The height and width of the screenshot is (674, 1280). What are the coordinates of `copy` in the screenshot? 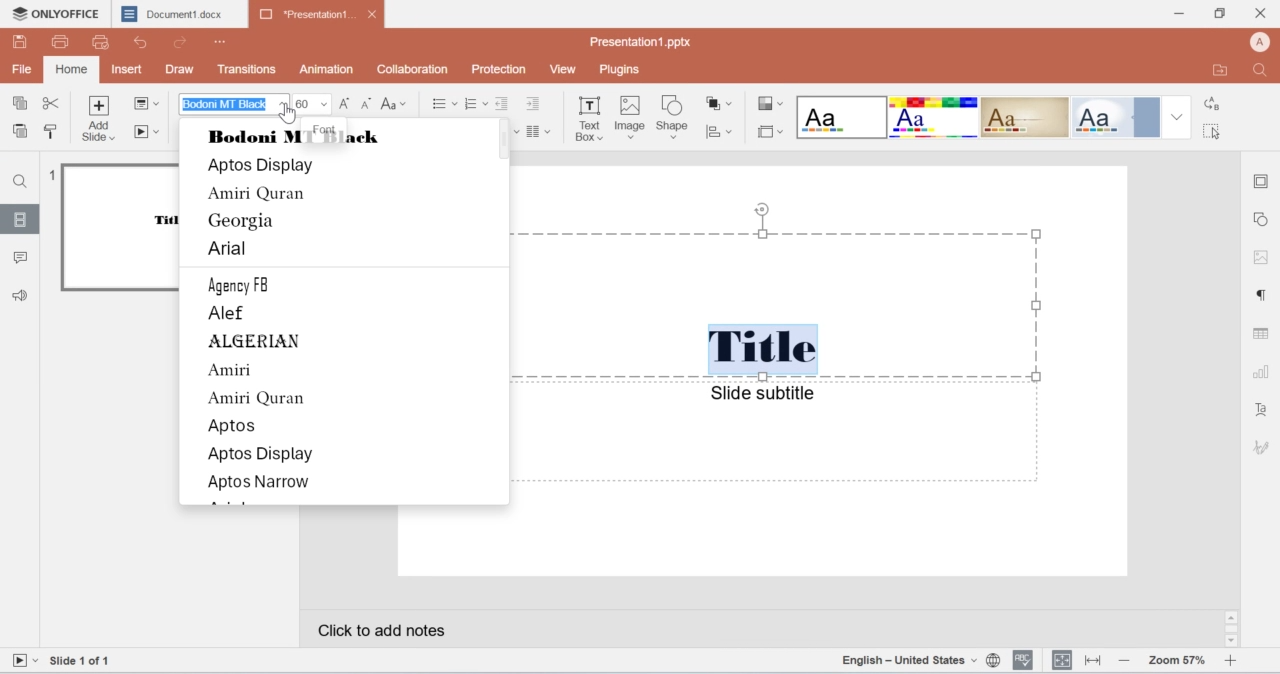 It's located at (23, 105).